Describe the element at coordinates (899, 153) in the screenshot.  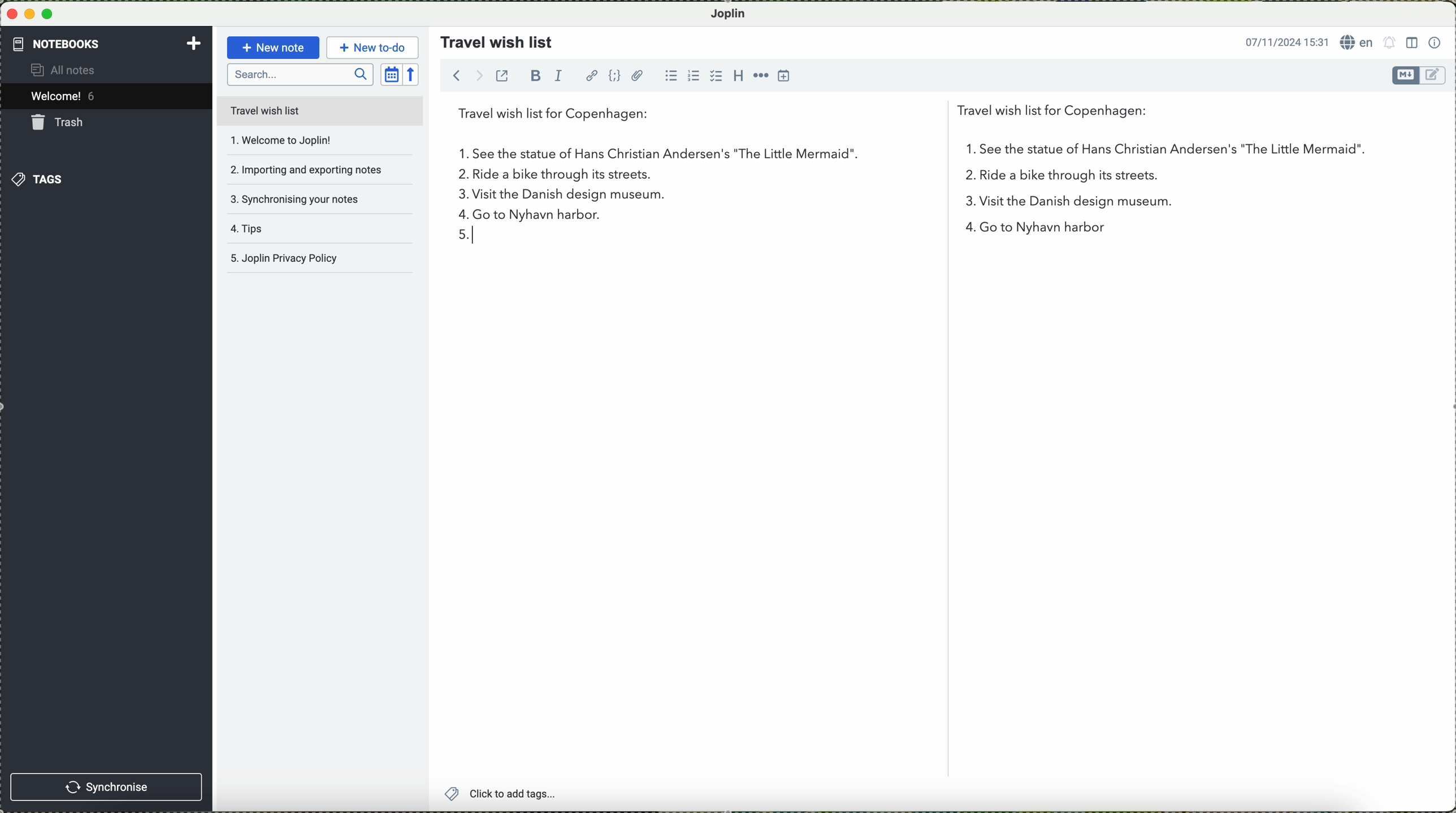
I see `first point` at that location.